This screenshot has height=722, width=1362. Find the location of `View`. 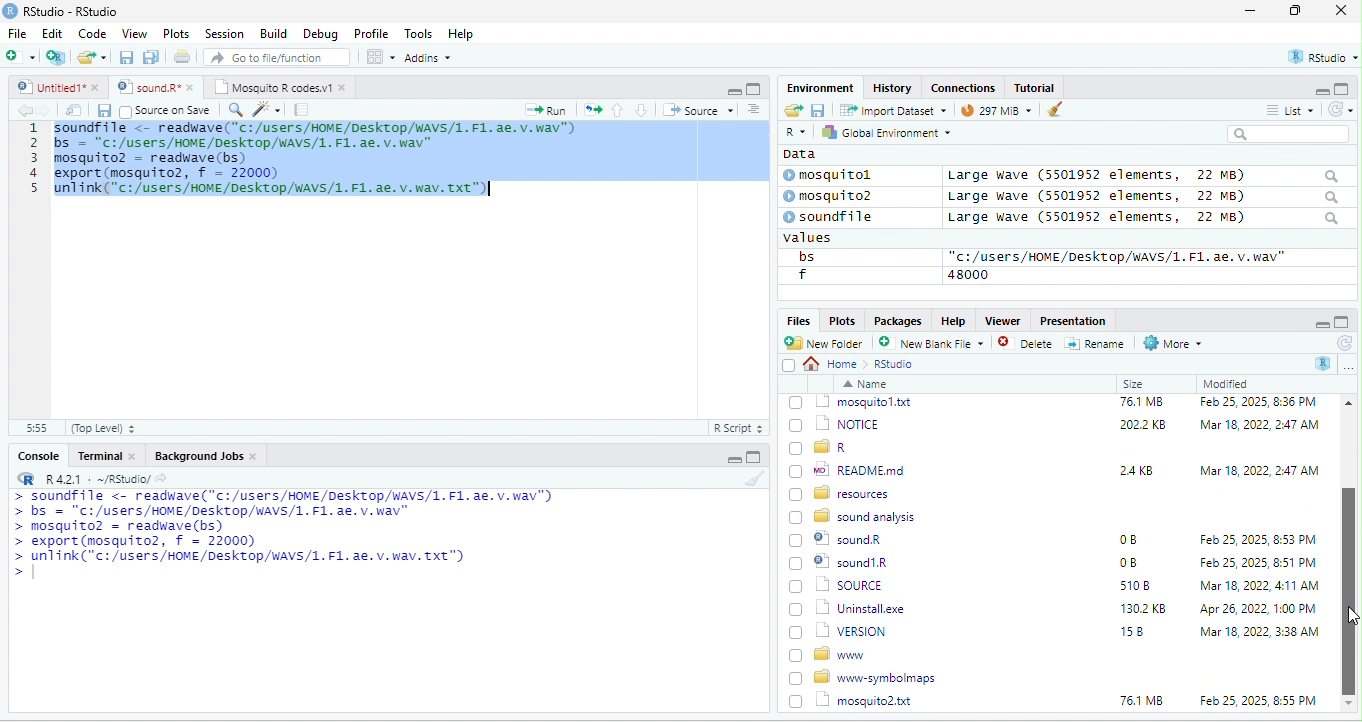

View is located at coordinates (133, 35).